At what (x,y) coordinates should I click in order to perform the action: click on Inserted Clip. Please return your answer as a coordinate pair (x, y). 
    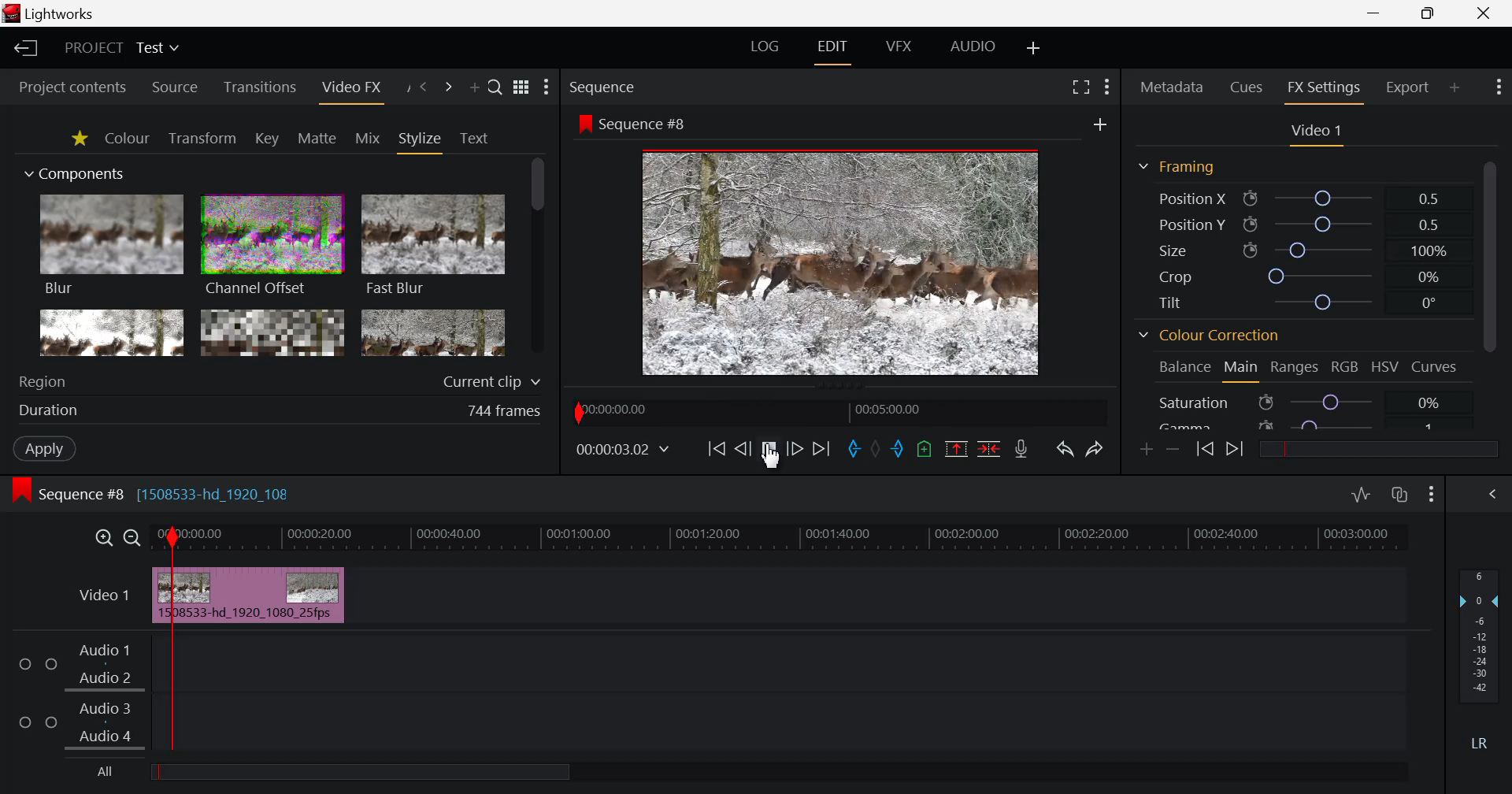
    Looking at the image, I should click on (250, 595).